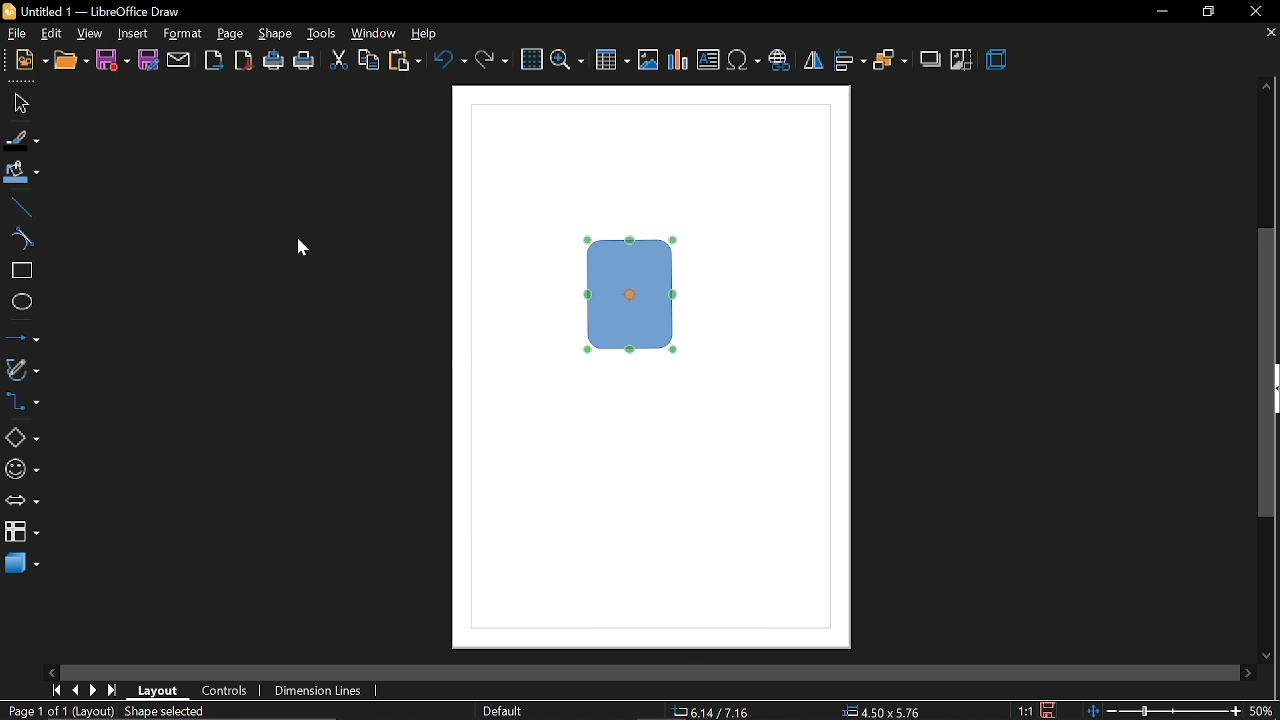 The image size is (1280, 720). Describe the element at coordinates (21, 140) in the screenshot. I see `fill line` at that location.